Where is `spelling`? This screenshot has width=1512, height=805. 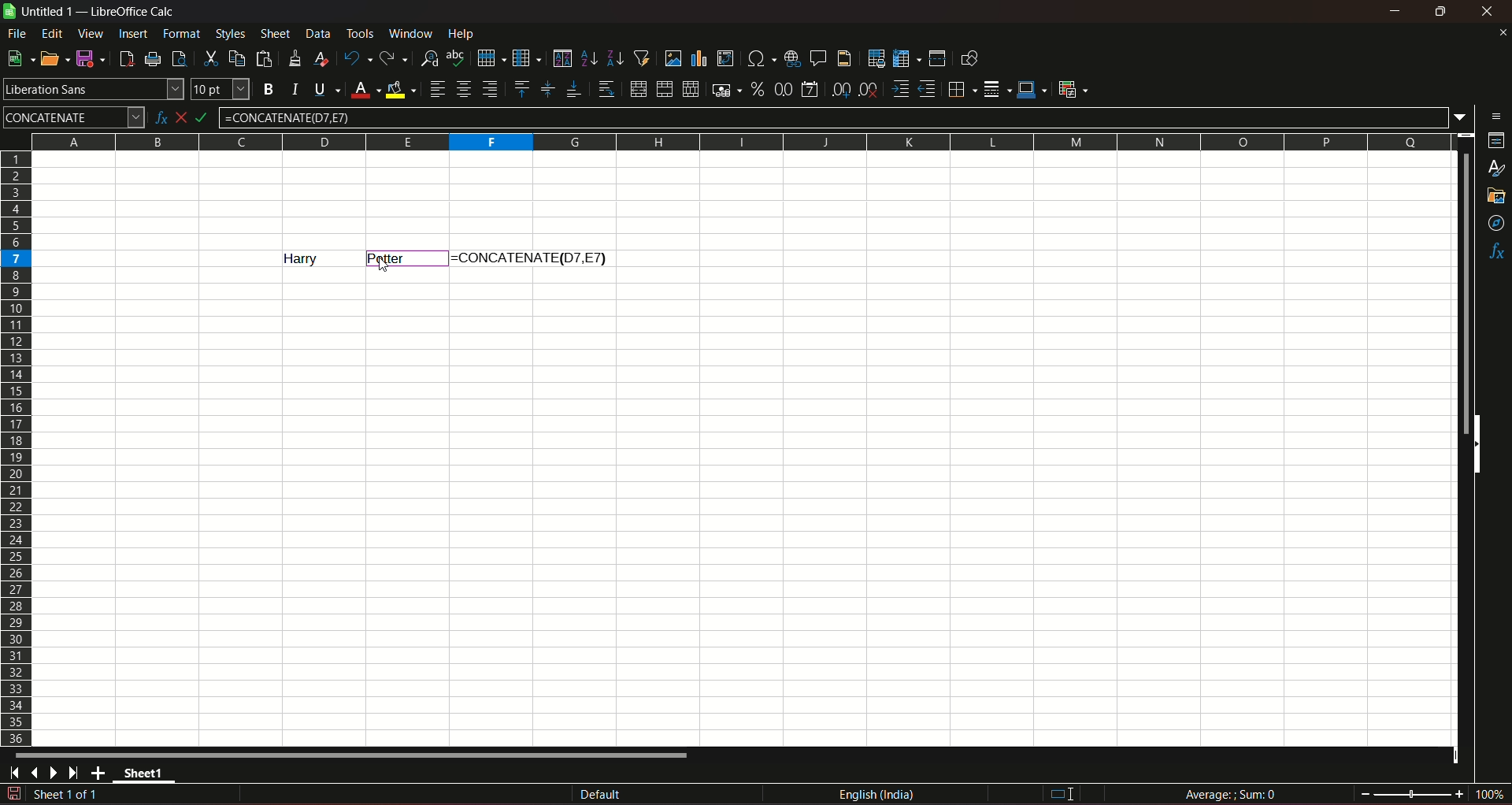
spelling is located at coordinates (457, 58).